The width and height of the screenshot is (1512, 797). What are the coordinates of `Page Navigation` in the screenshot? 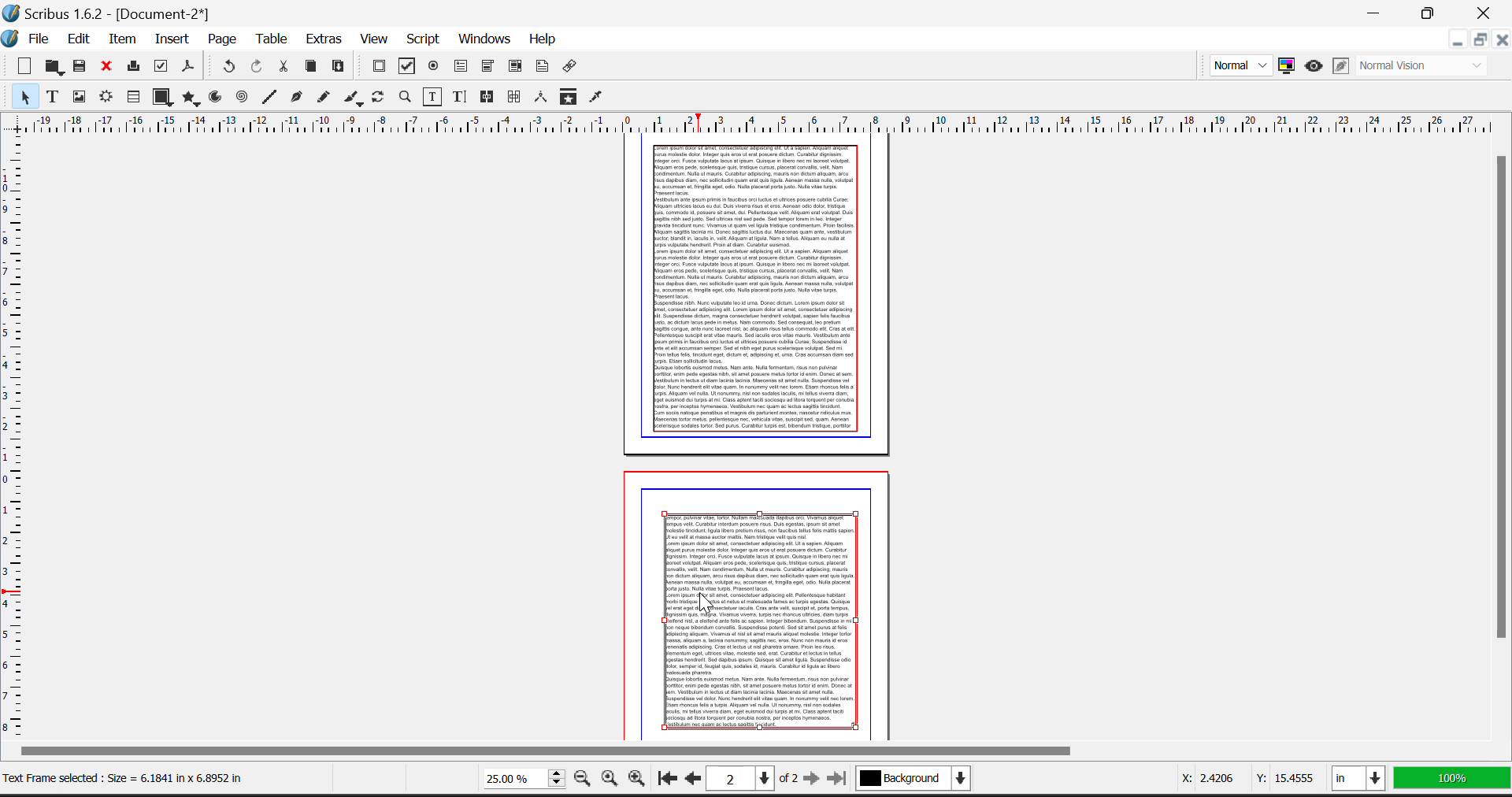 It's located at (757, 780).